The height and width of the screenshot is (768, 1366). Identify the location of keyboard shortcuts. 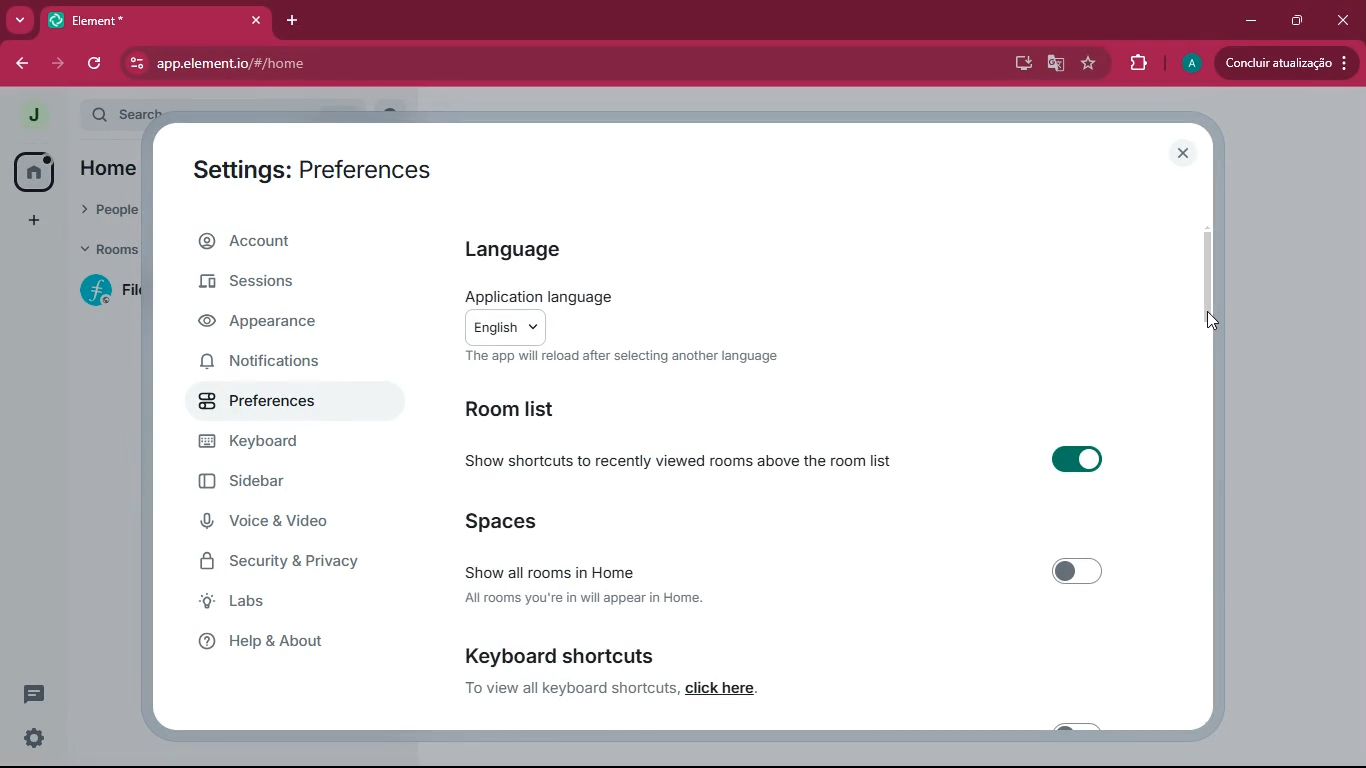
(657, 652).